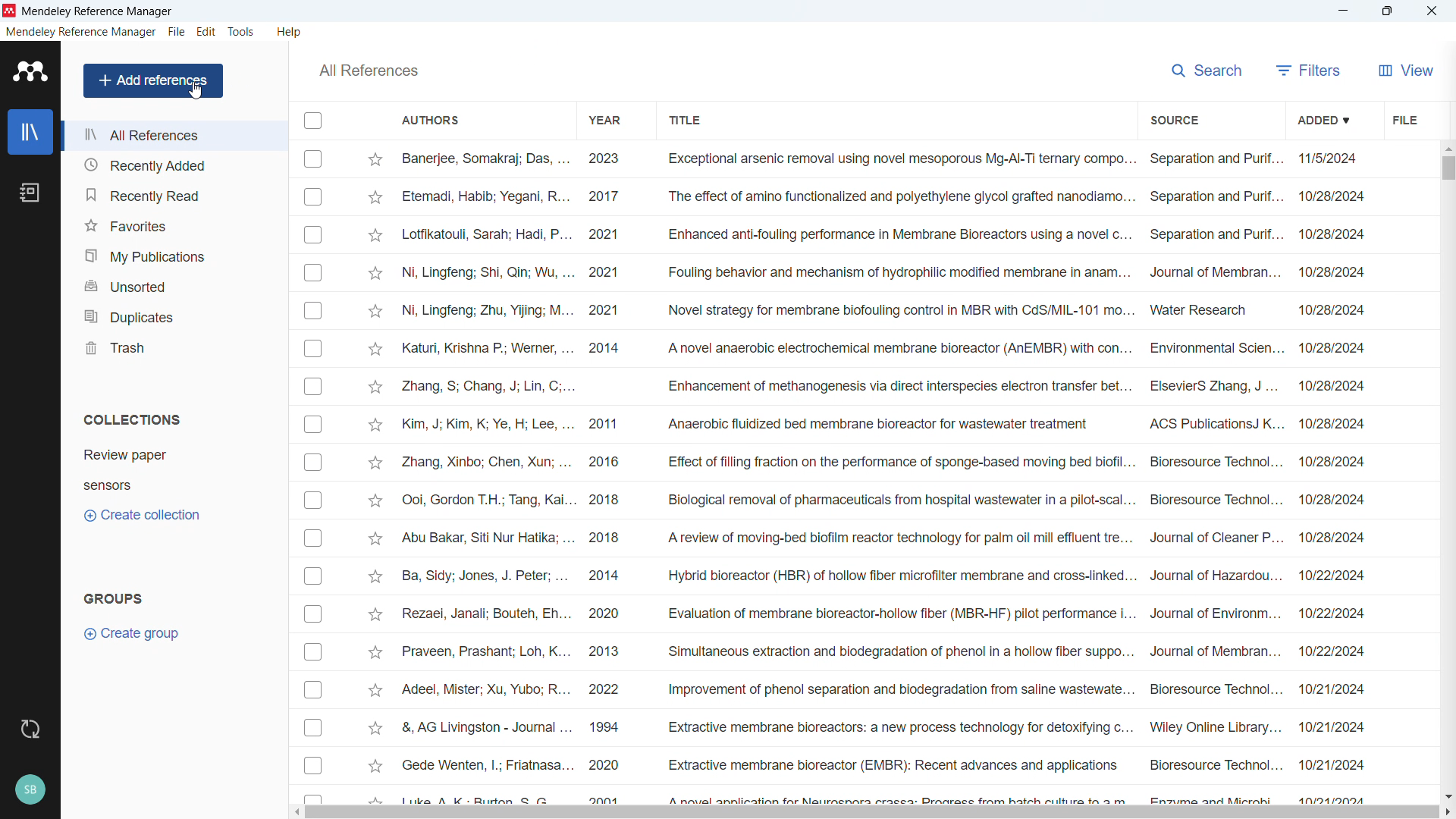 The image size is (1456, 819). Describe the element at coordinates (687, 118) in the screenshot. I see `Sort by title ` at that location.